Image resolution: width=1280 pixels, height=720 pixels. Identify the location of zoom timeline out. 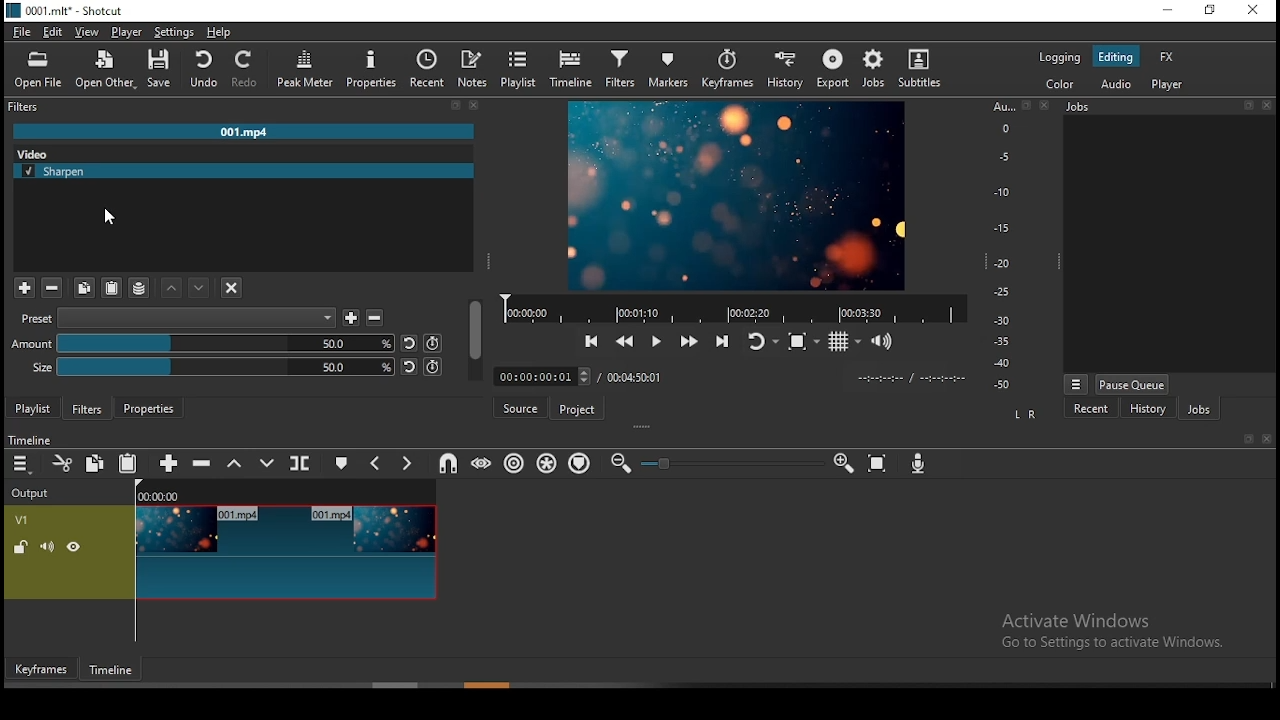
(620, 464).